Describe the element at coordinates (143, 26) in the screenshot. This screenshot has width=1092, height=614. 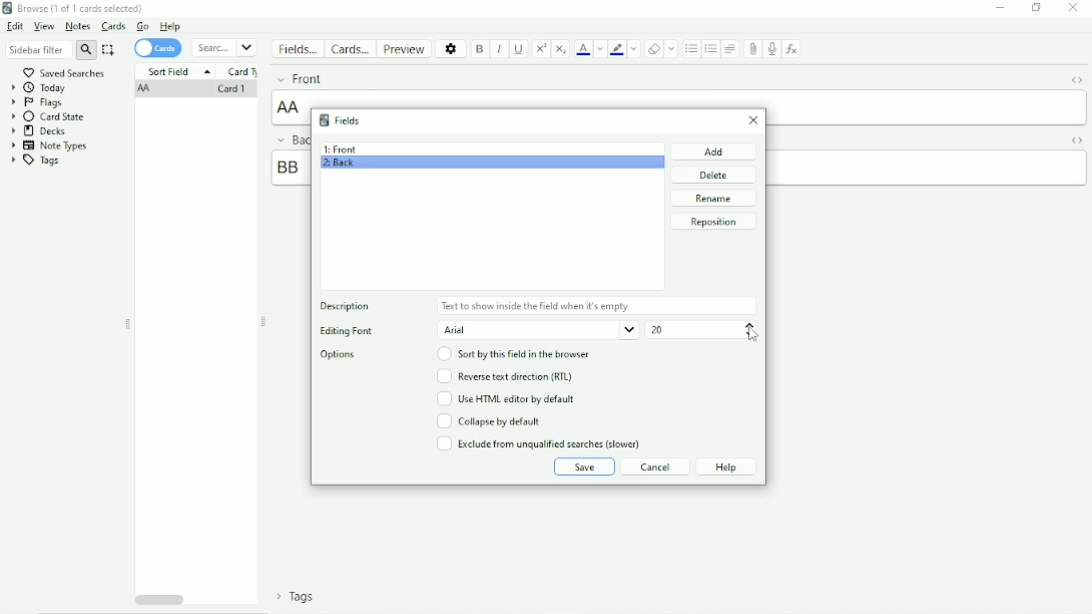
I see `Go` at that location.